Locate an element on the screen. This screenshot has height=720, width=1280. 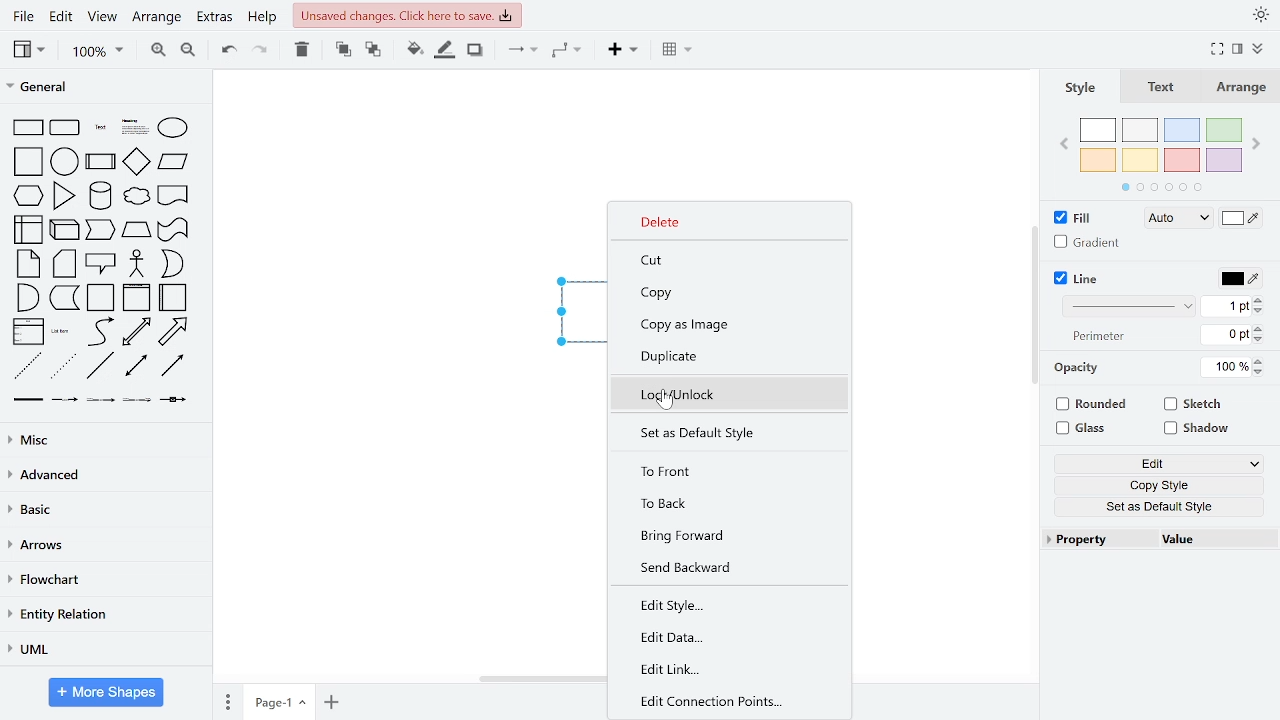
previous is located at coordinates (1063, 146).